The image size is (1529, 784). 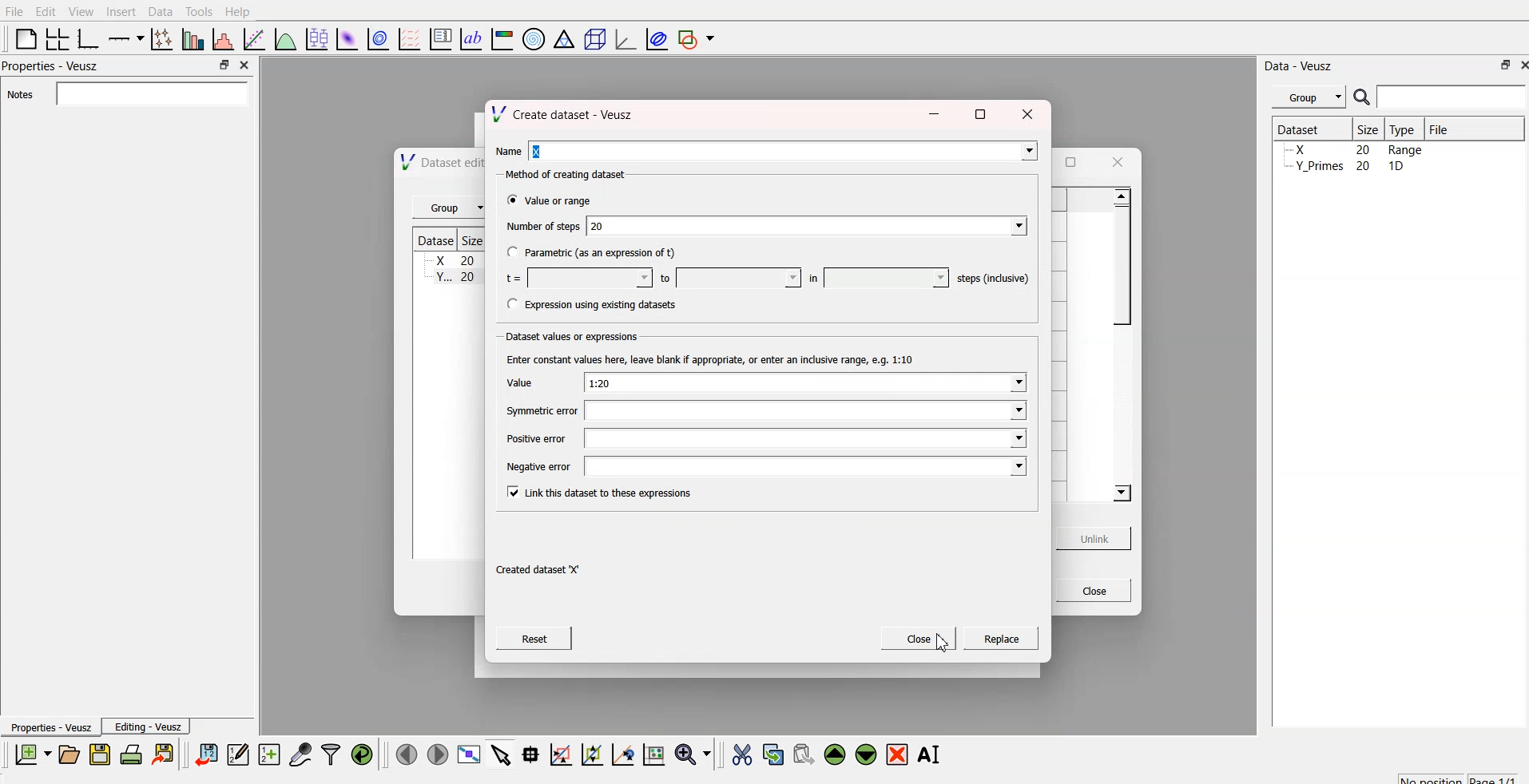 I want to click on reset graph axes, so click(x=653, y=752).